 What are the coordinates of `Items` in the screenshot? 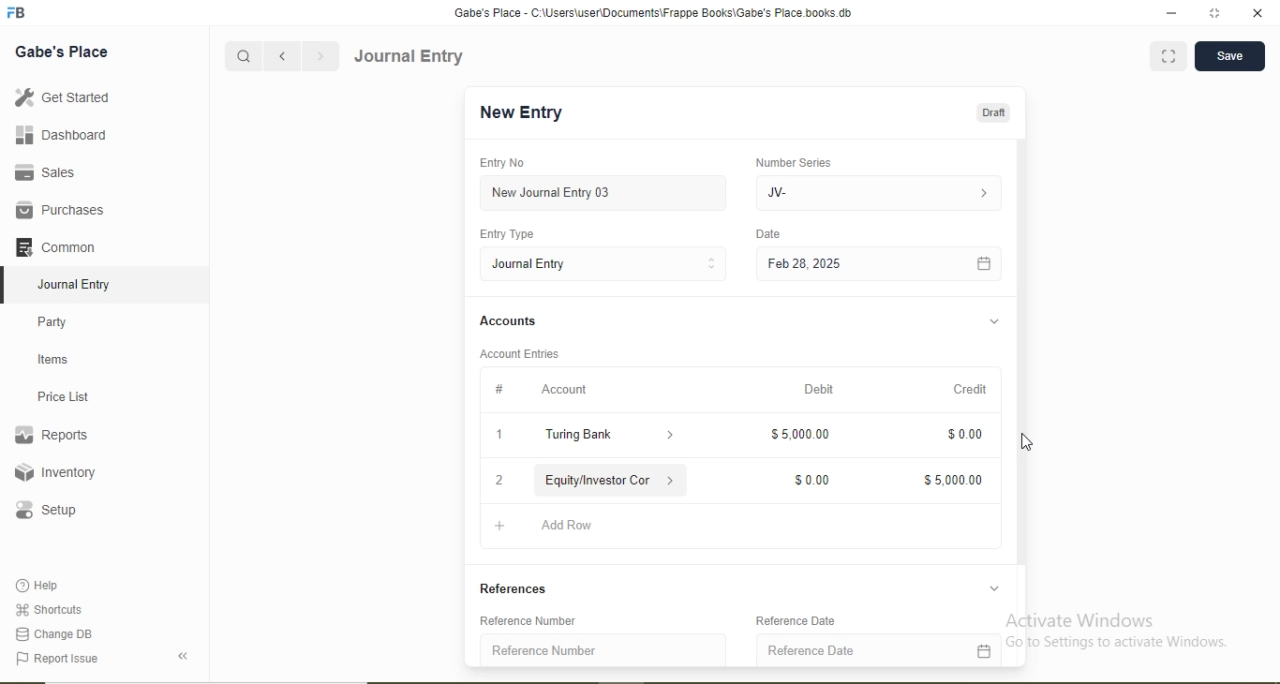 It's located at (53, 359).